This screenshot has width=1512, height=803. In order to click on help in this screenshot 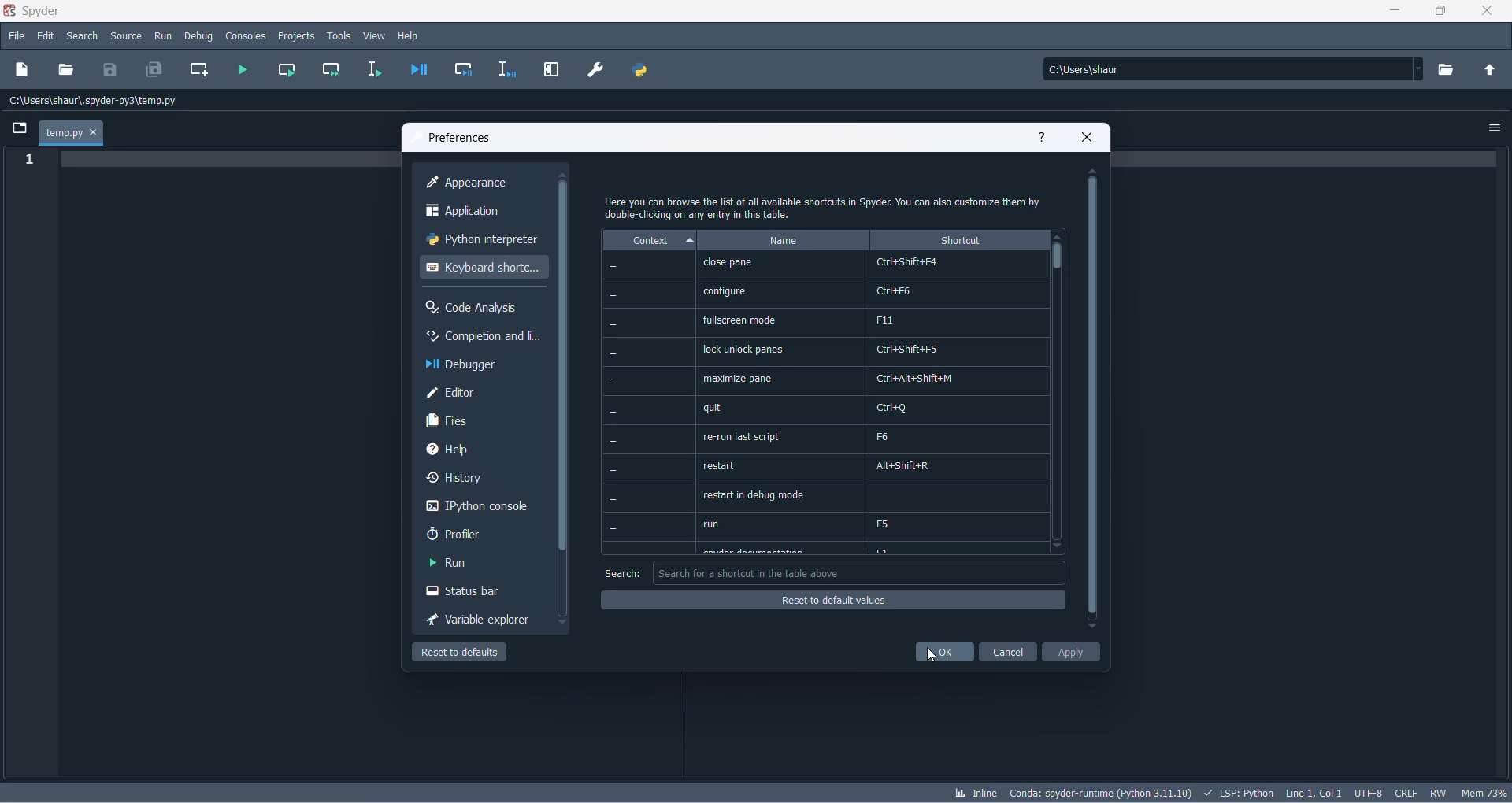, I will do `click(474, 452)`.